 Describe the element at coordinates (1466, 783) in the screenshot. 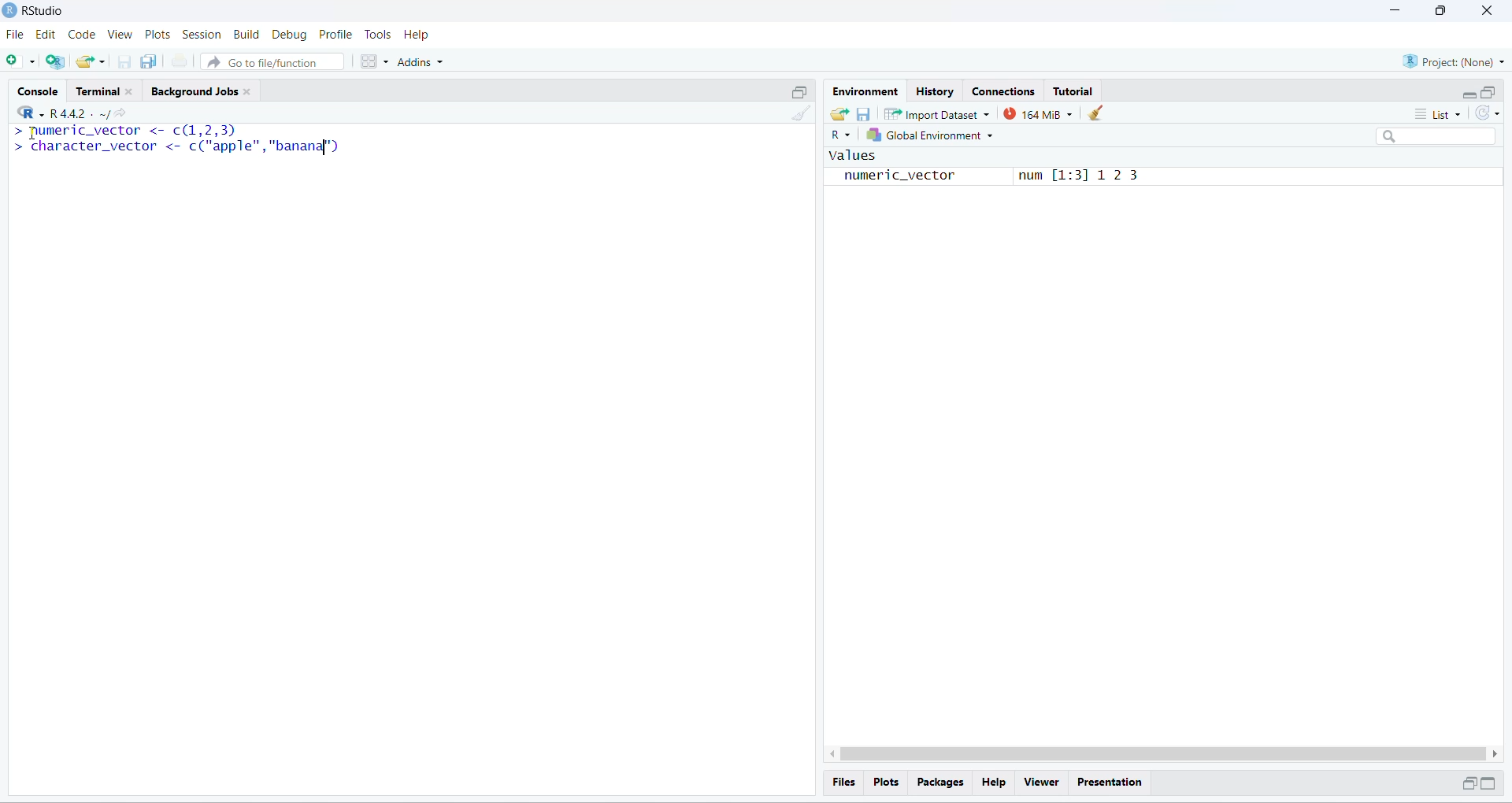

I see `minimize` at that location.